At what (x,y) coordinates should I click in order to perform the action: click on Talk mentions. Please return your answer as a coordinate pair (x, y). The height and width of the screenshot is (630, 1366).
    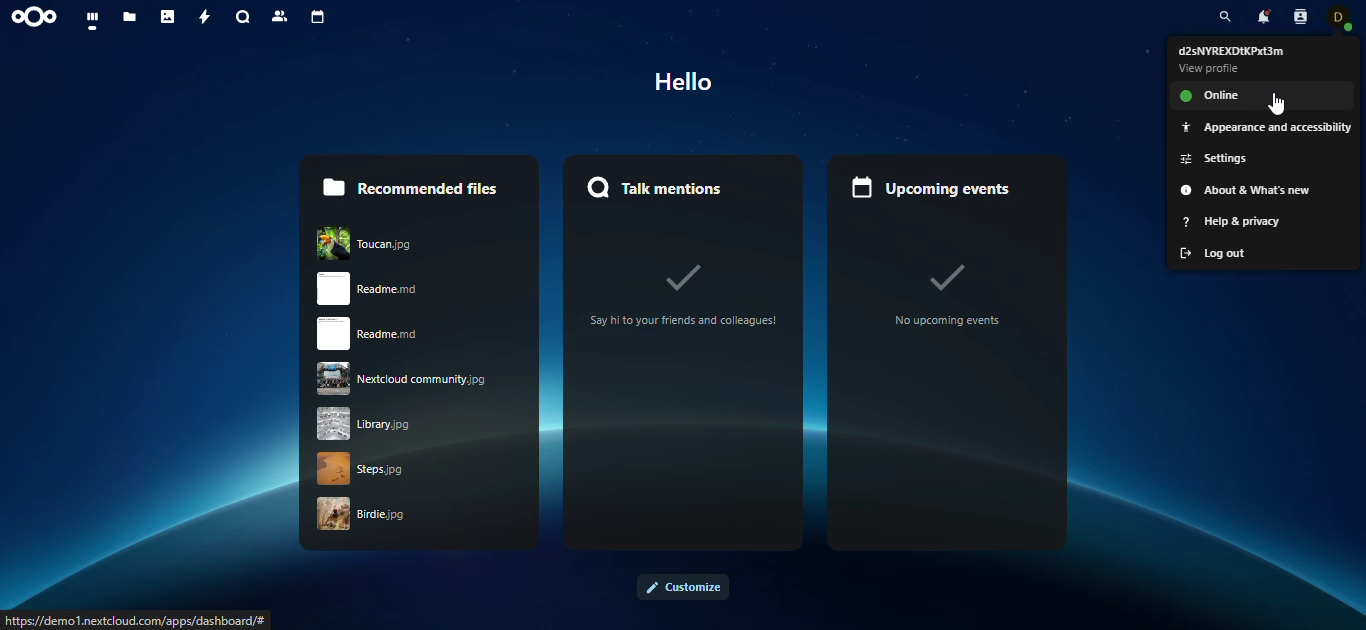
    Looking at the image, I should click on (672, 186).